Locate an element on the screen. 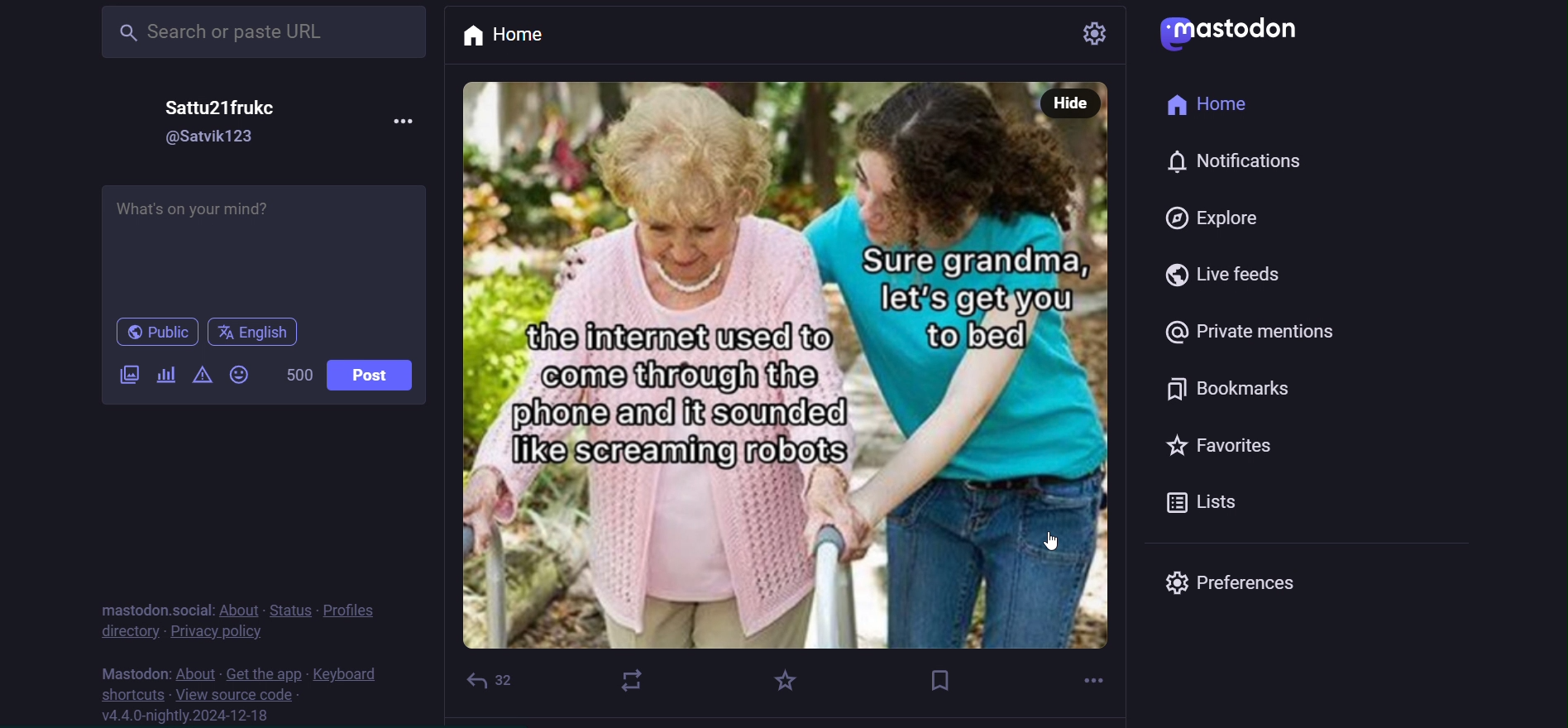 This screenshot has height=728, width=1568. status is located at coordinates (294, 608).